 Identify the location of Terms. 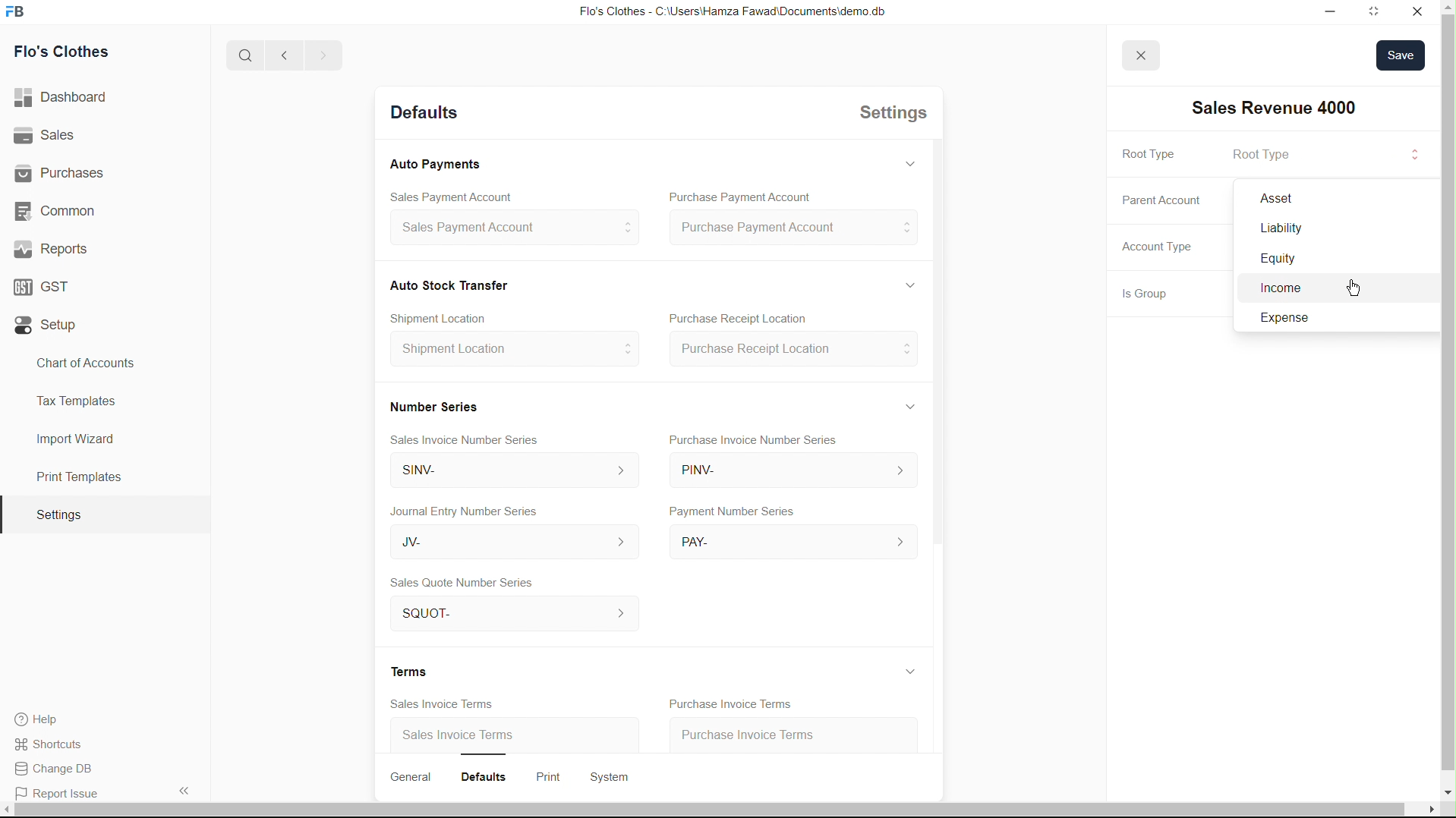
(421, 671).